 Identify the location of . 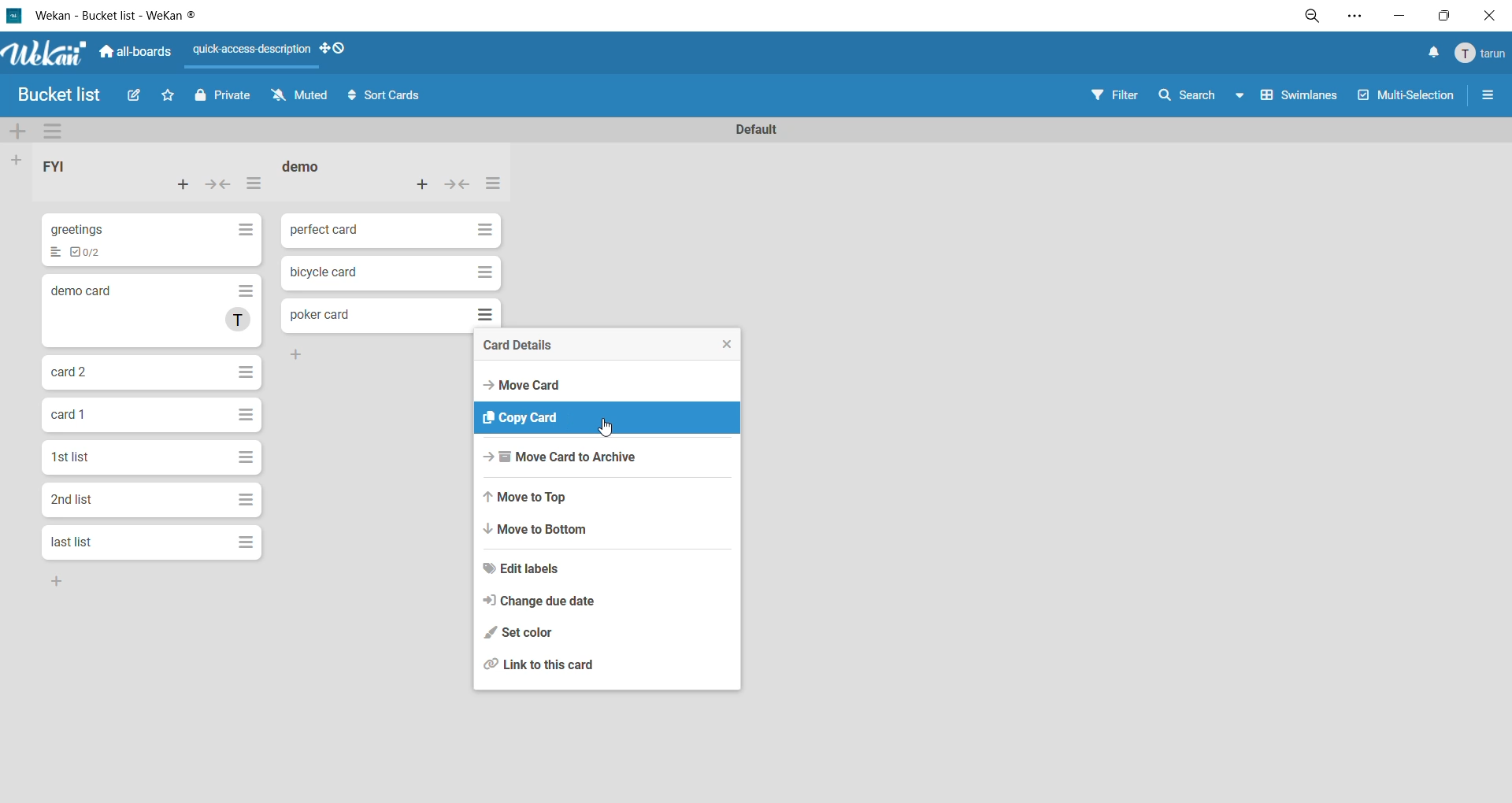
(481, 313).